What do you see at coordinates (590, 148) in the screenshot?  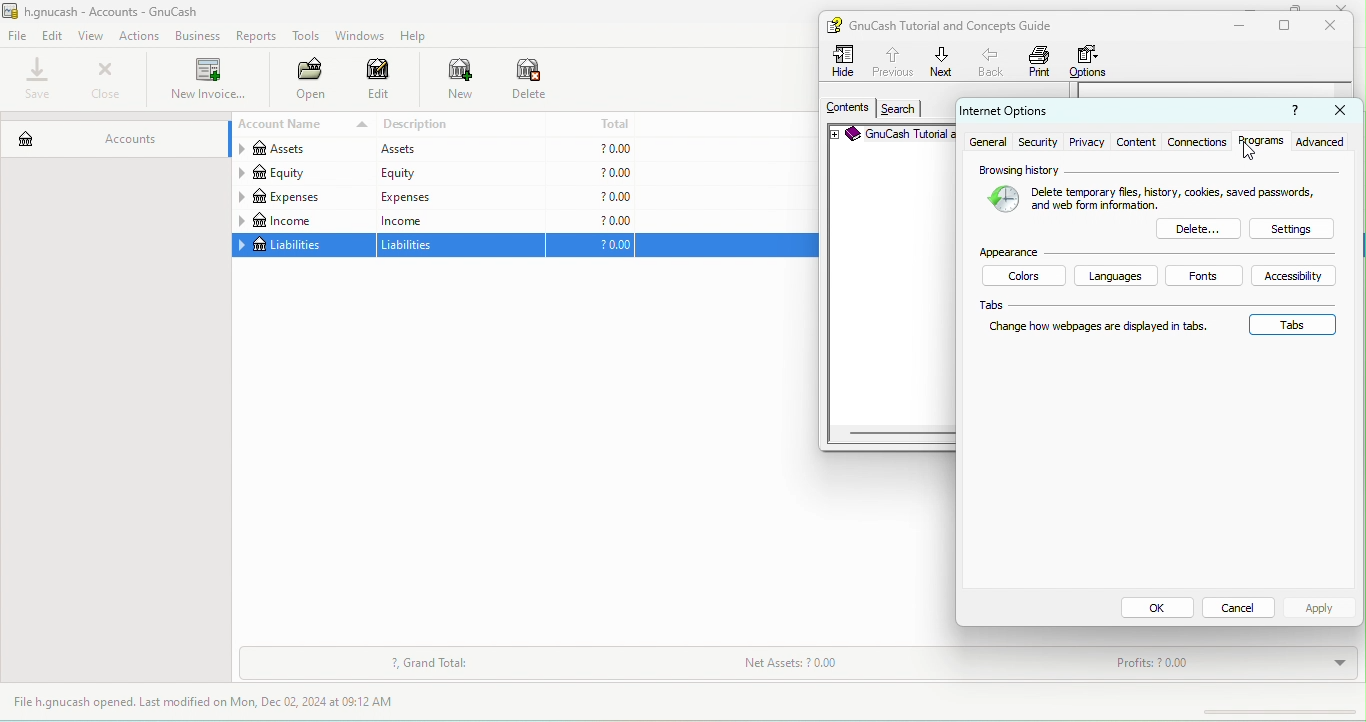 I see `?0.00` at bounding box center [590, 148].